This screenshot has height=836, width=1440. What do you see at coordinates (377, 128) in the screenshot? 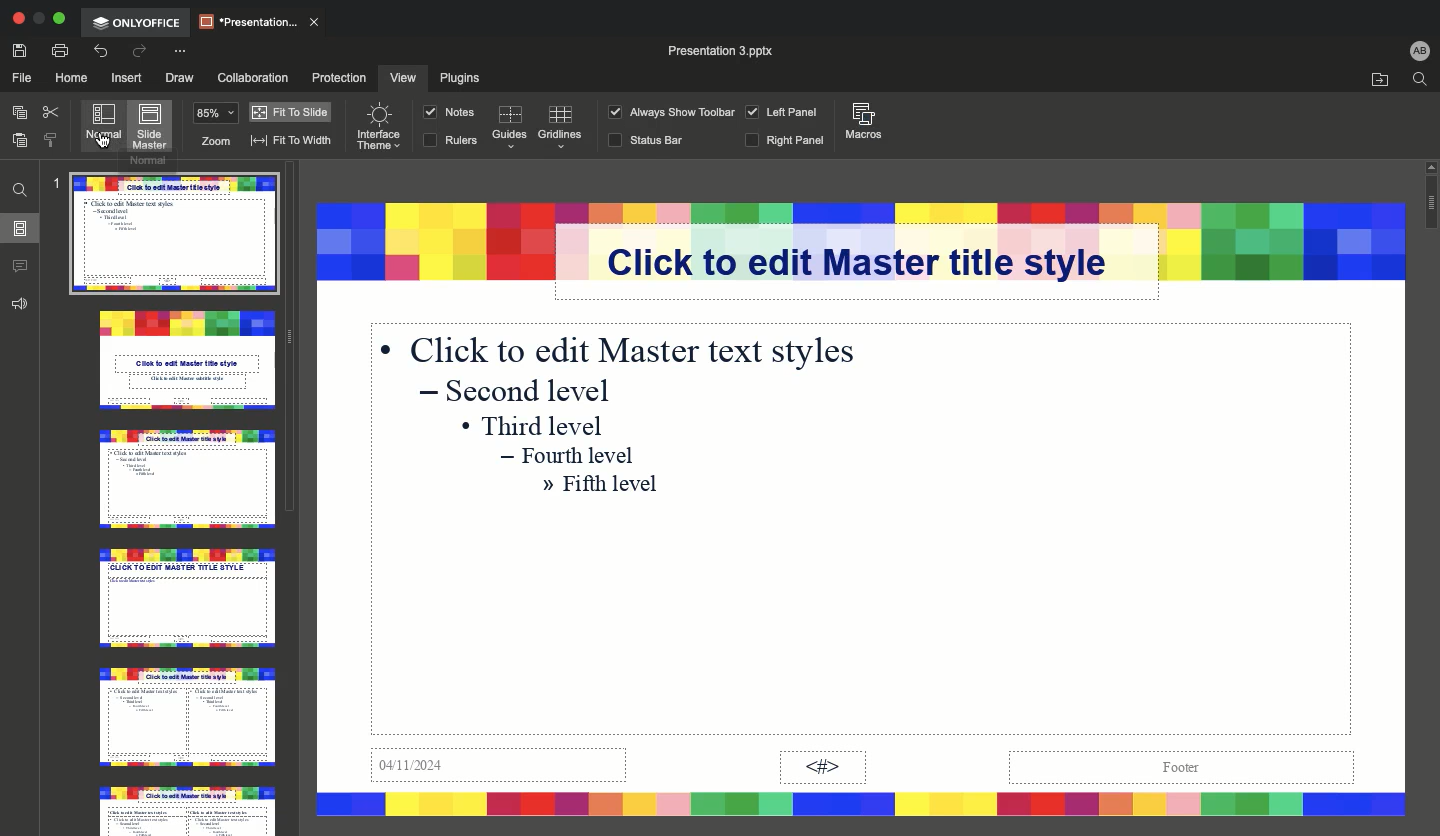
I see `Interface theme` at bounding box center [377, 128].